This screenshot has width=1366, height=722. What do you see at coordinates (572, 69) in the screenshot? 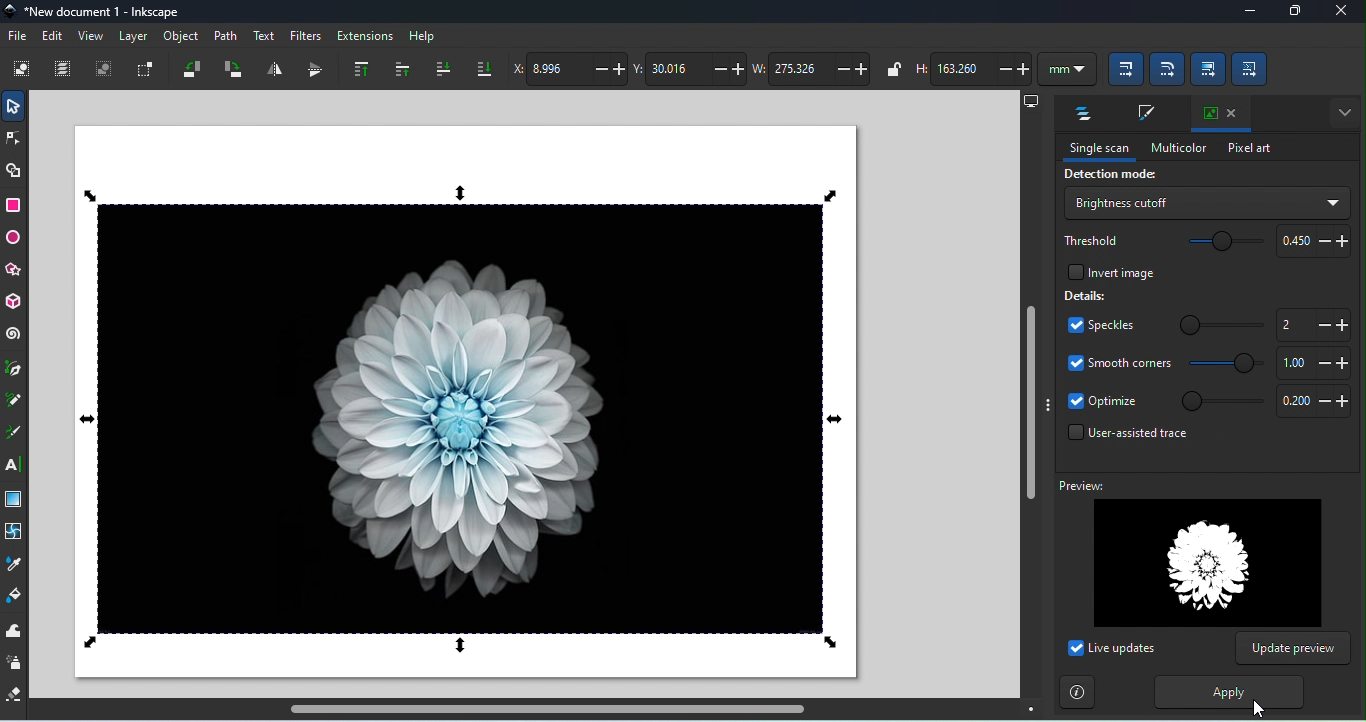
I see `Horizontal coordinate of the selection` at bounding box center [572, 69].